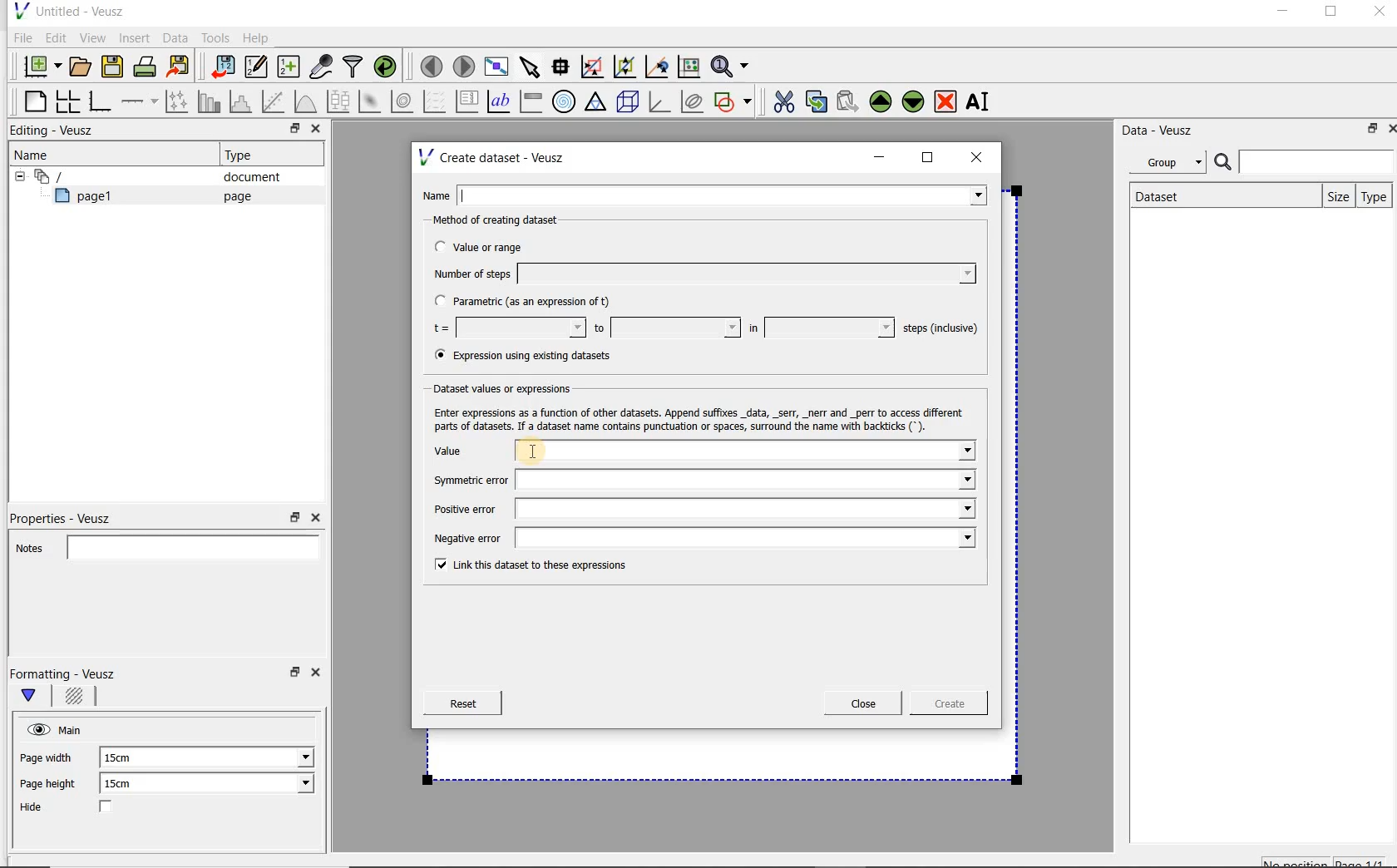  I want to click on close, so click(982, 156).